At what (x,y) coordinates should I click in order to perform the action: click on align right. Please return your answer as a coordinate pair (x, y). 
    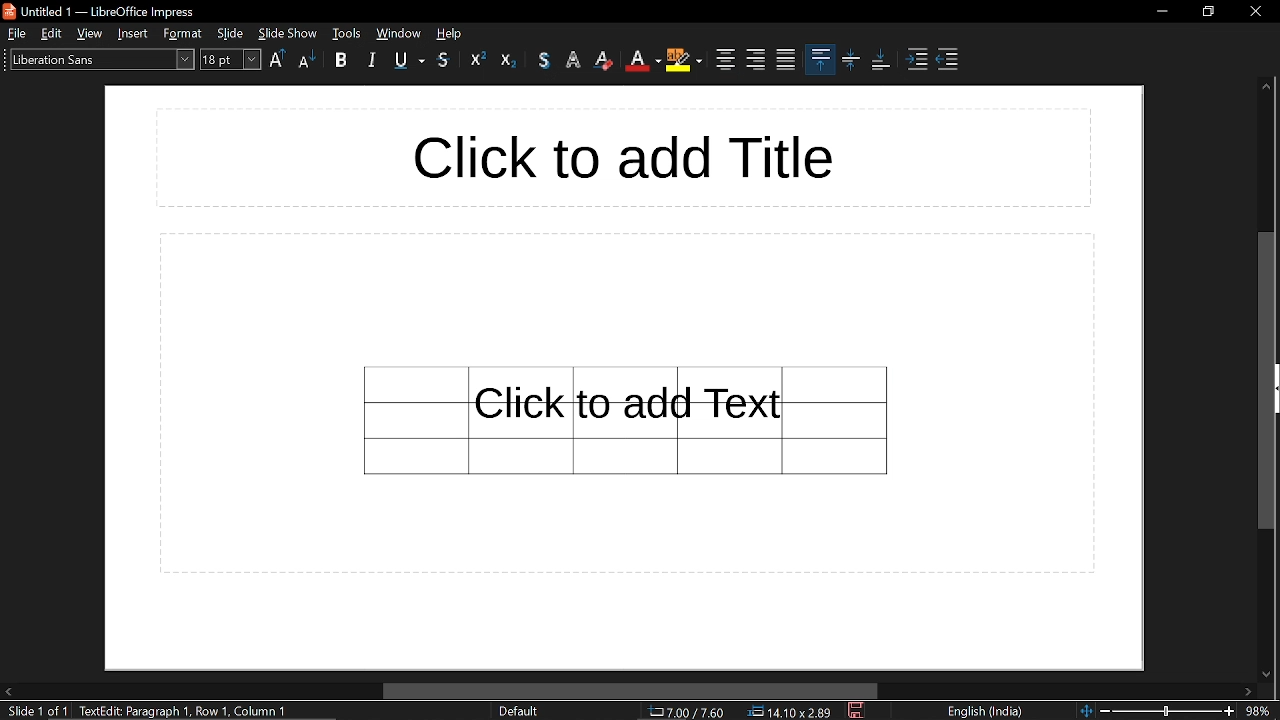
    Looking at the image, I should click on (756, 59).